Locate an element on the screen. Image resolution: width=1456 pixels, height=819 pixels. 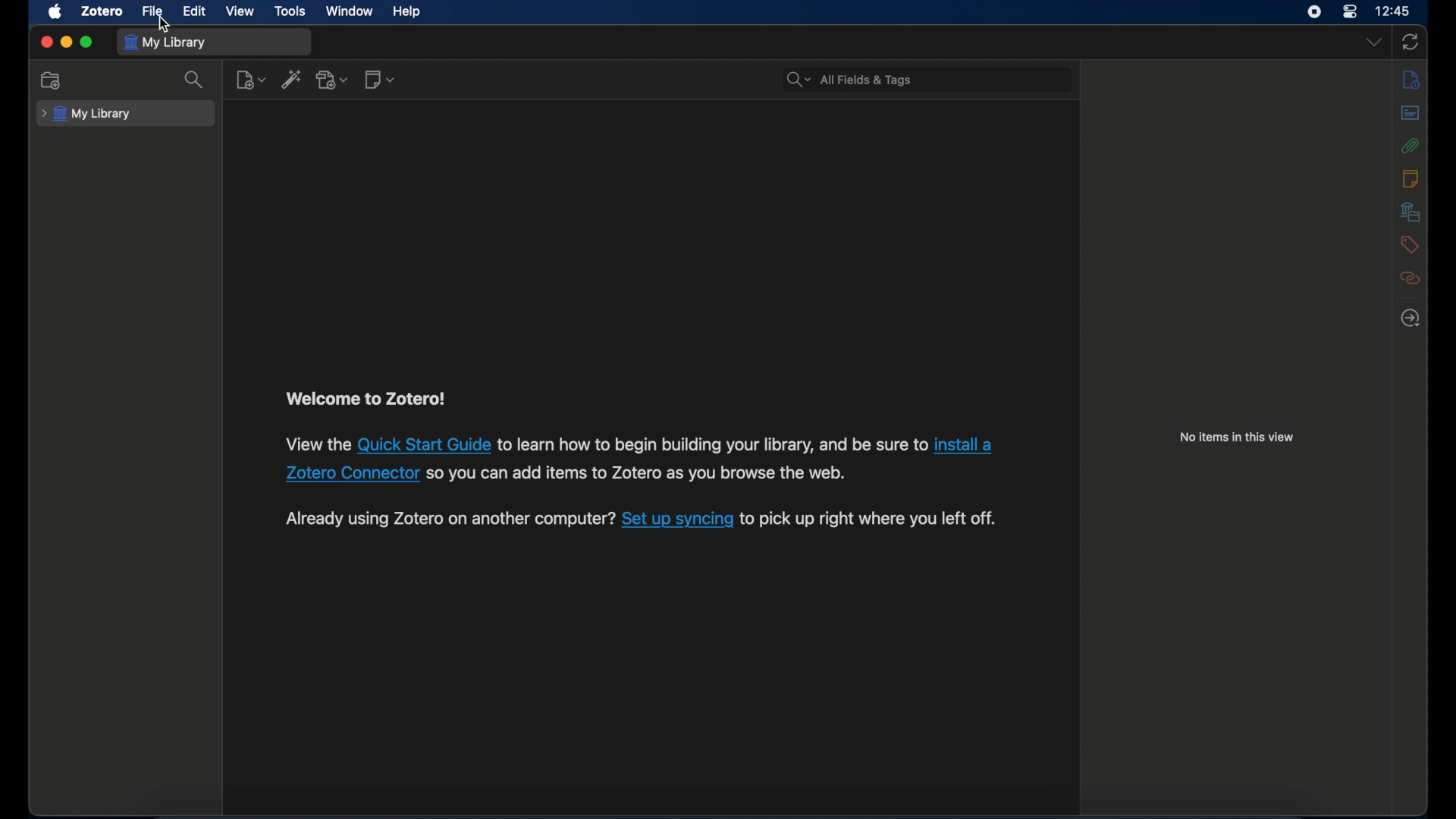
new notes is located at coordinates (381, 79).